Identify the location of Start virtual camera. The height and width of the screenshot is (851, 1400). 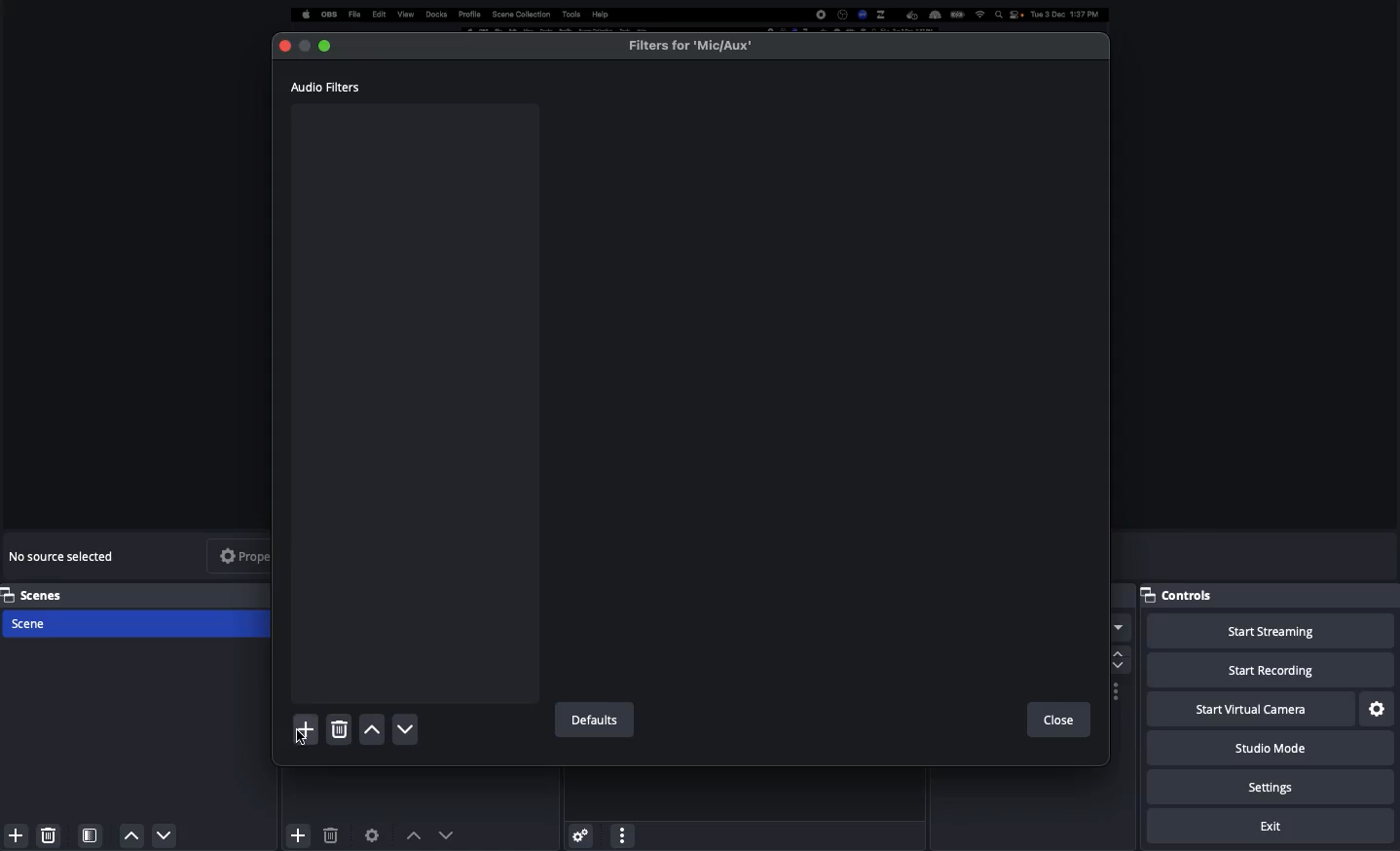
(1248, 710).